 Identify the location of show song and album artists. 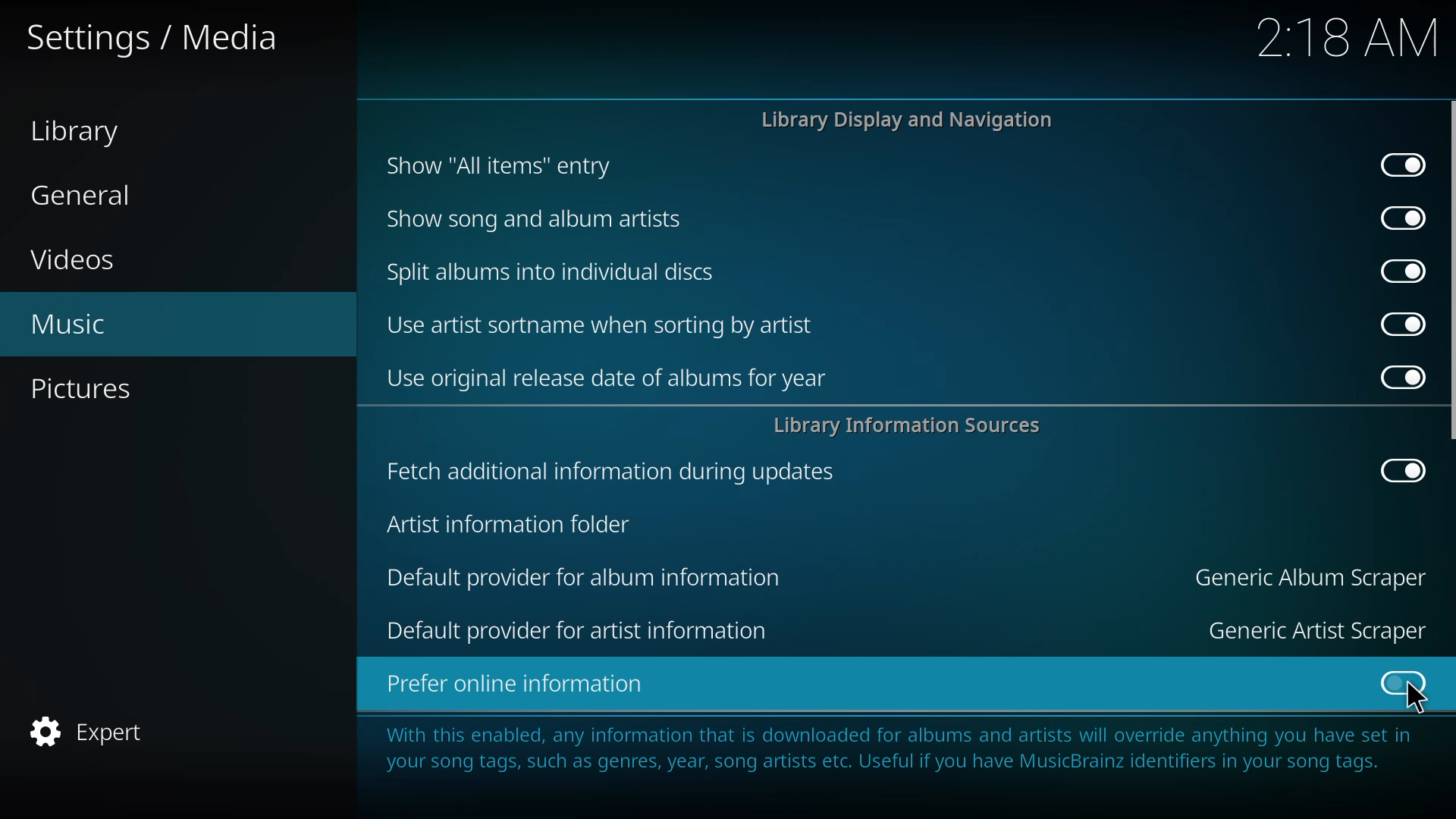
(543, 218).